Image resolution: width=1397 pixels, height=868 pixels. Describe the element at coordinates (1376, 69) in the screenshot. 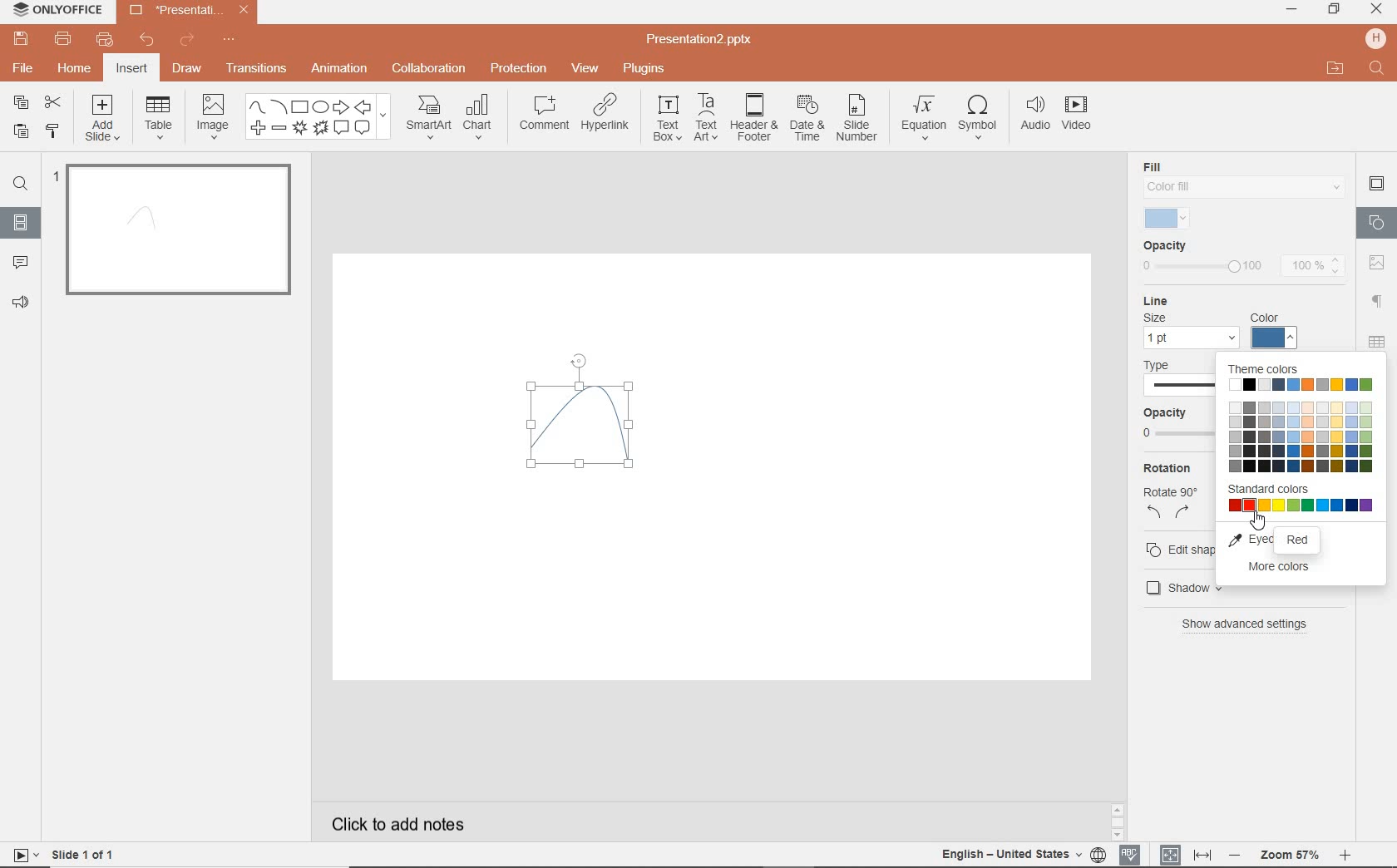

I see `FIND` at that location.